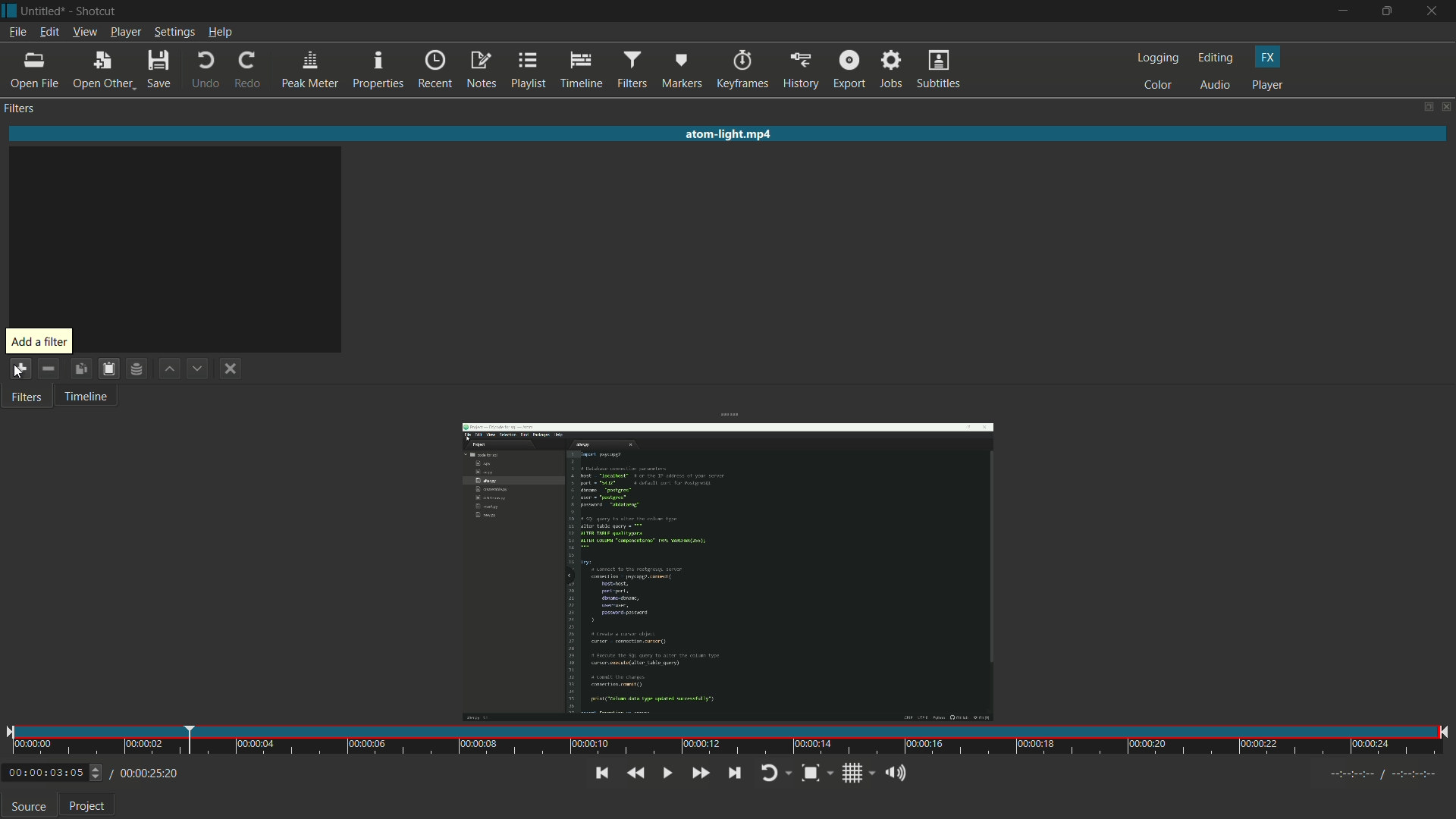 The height and width of the screenshot is (819, 1456). What do you see at coordinates (600, 773) in the screenshot?
I see `skip to the previous point` at bounding box center [600, 773].